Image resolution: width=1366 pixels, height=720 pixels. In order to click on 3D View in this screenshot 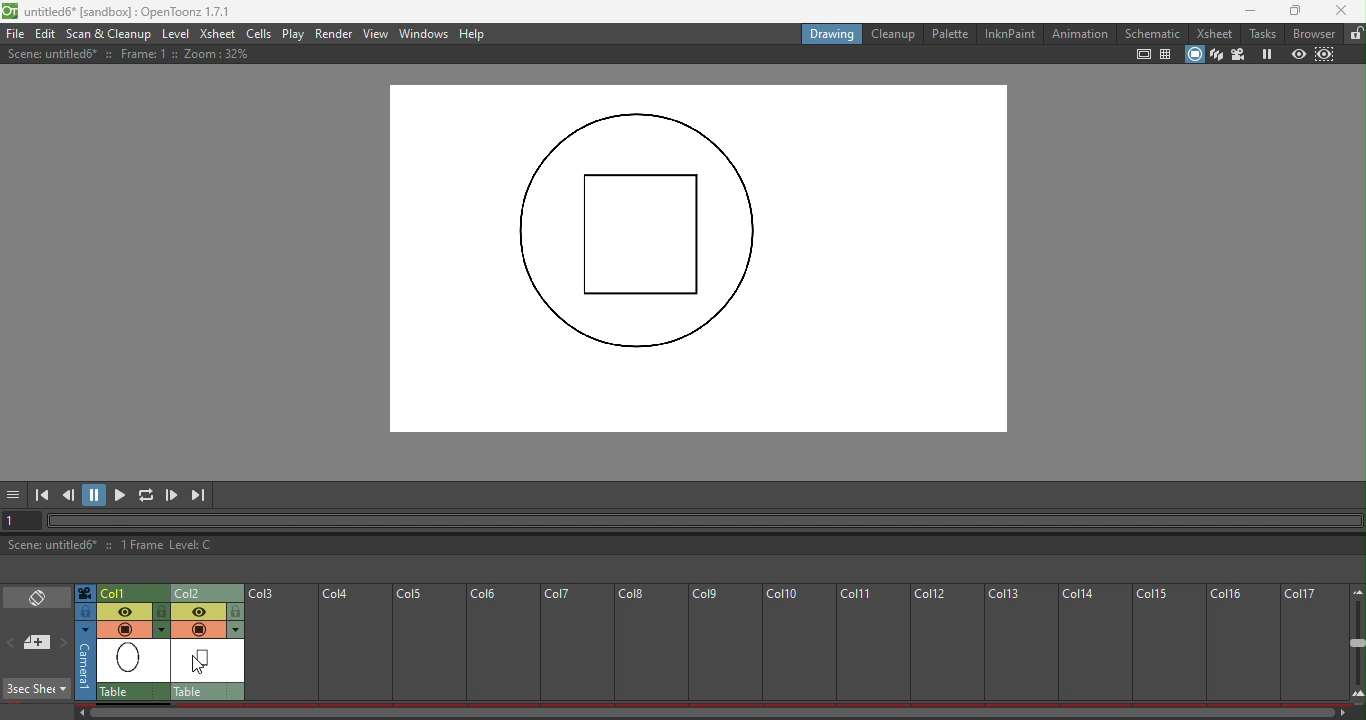, I will do `click(1216, 55)`.